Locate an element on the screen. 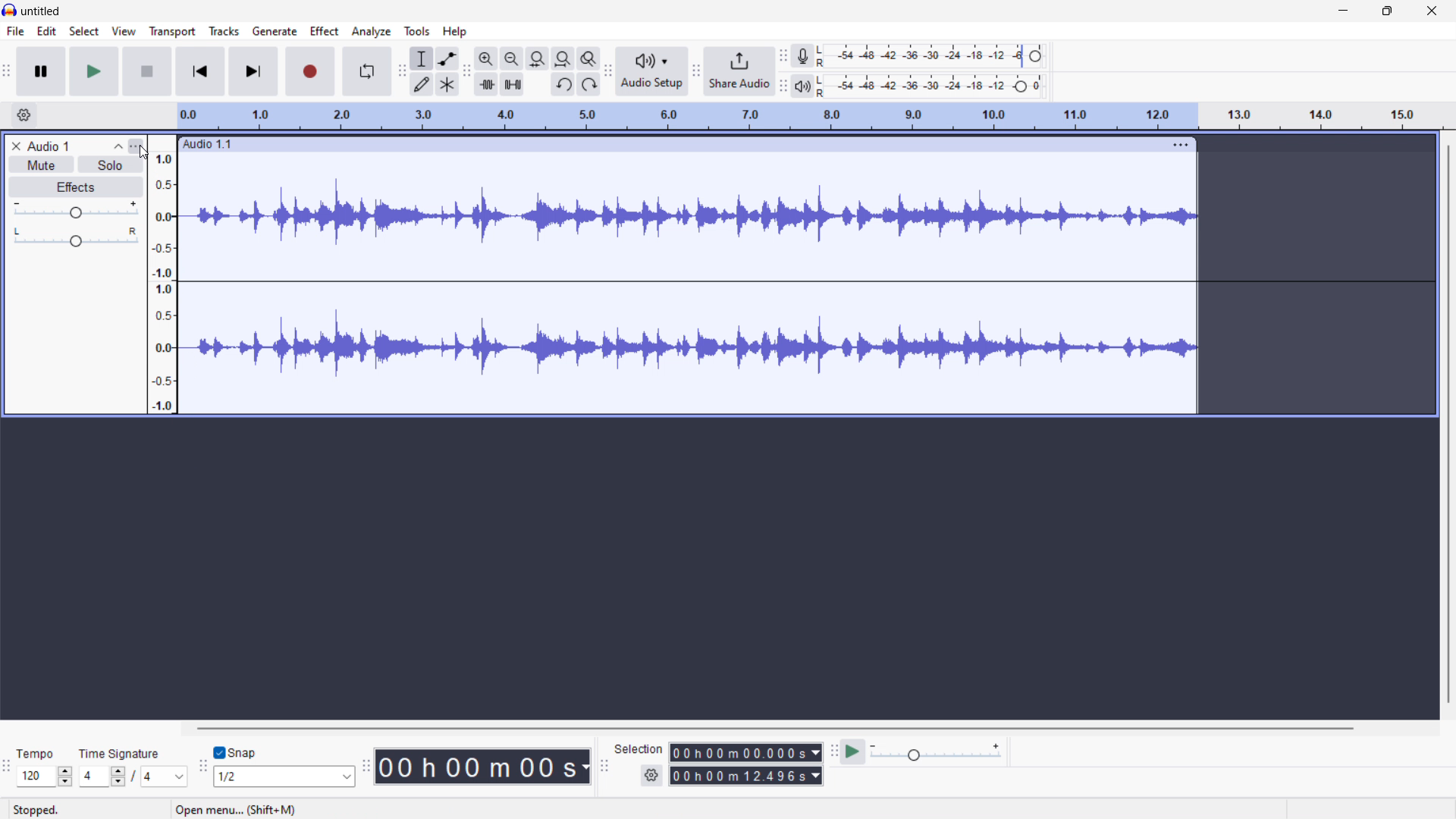  selection toolbar is located at coordinates (604, 766).